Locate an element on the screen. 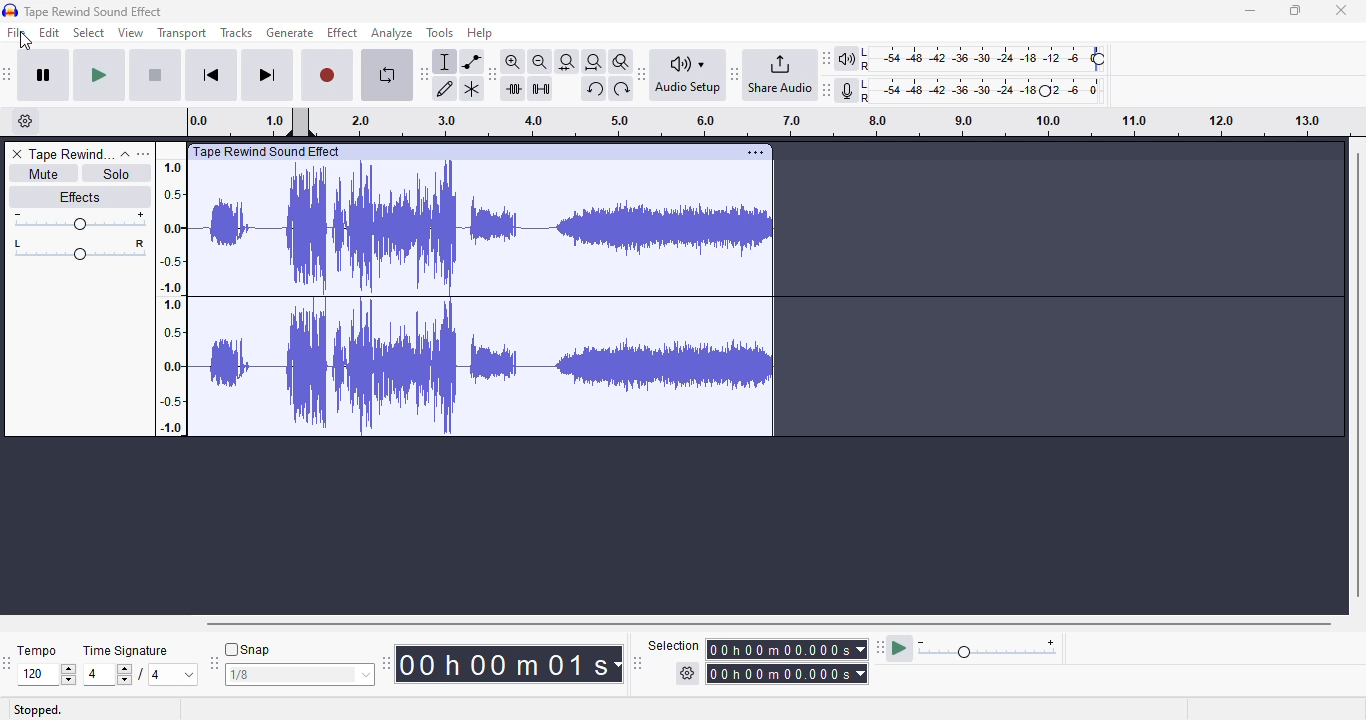 The width and height of the screenshot is (1366, 720). audacity tools toolbar is located at coordinates (425, 74).